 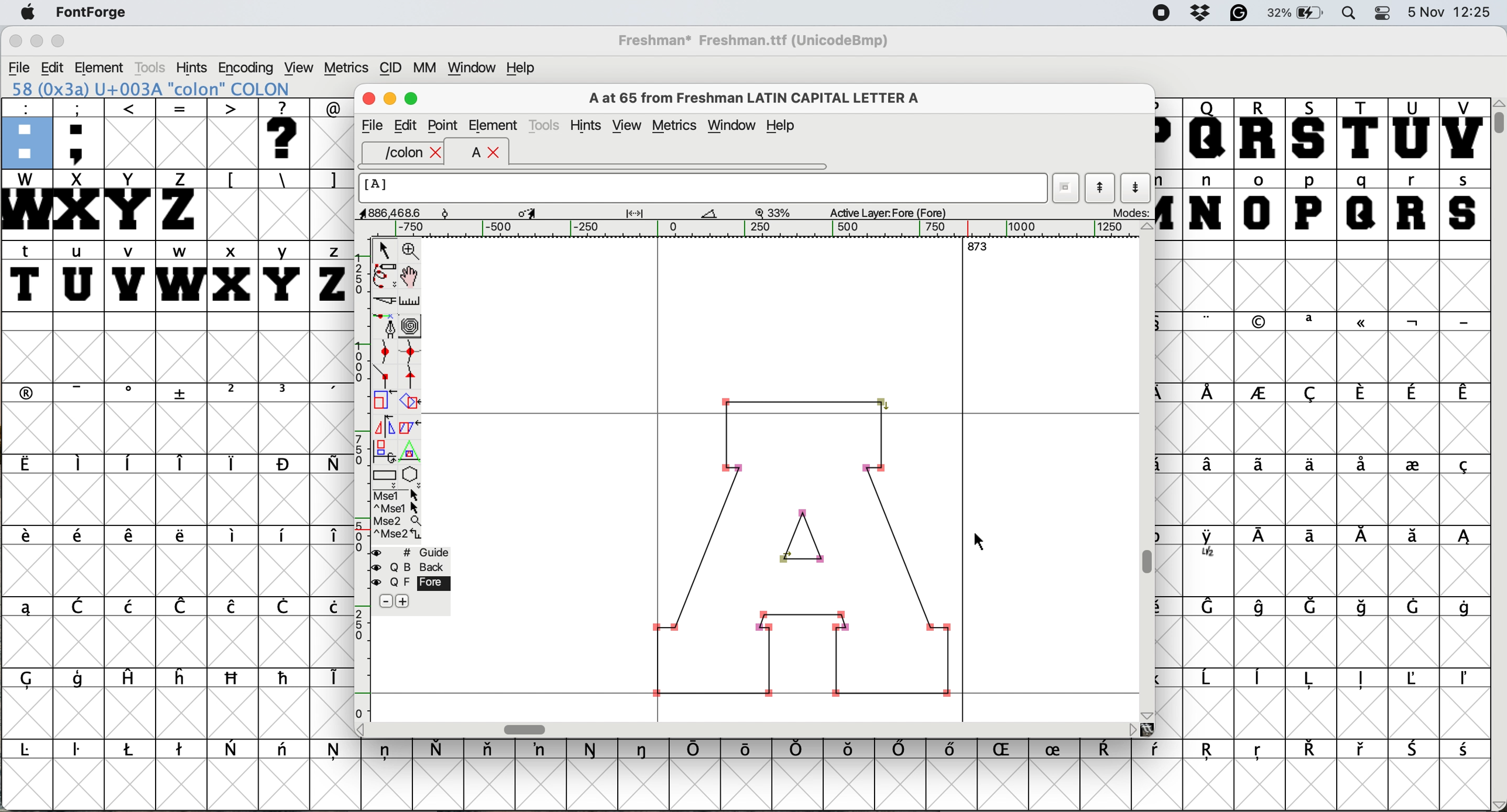 What do you see at coordinates (1315, 605) in the screenshot?
I see `symbol` at bounding box center [1315, 605].